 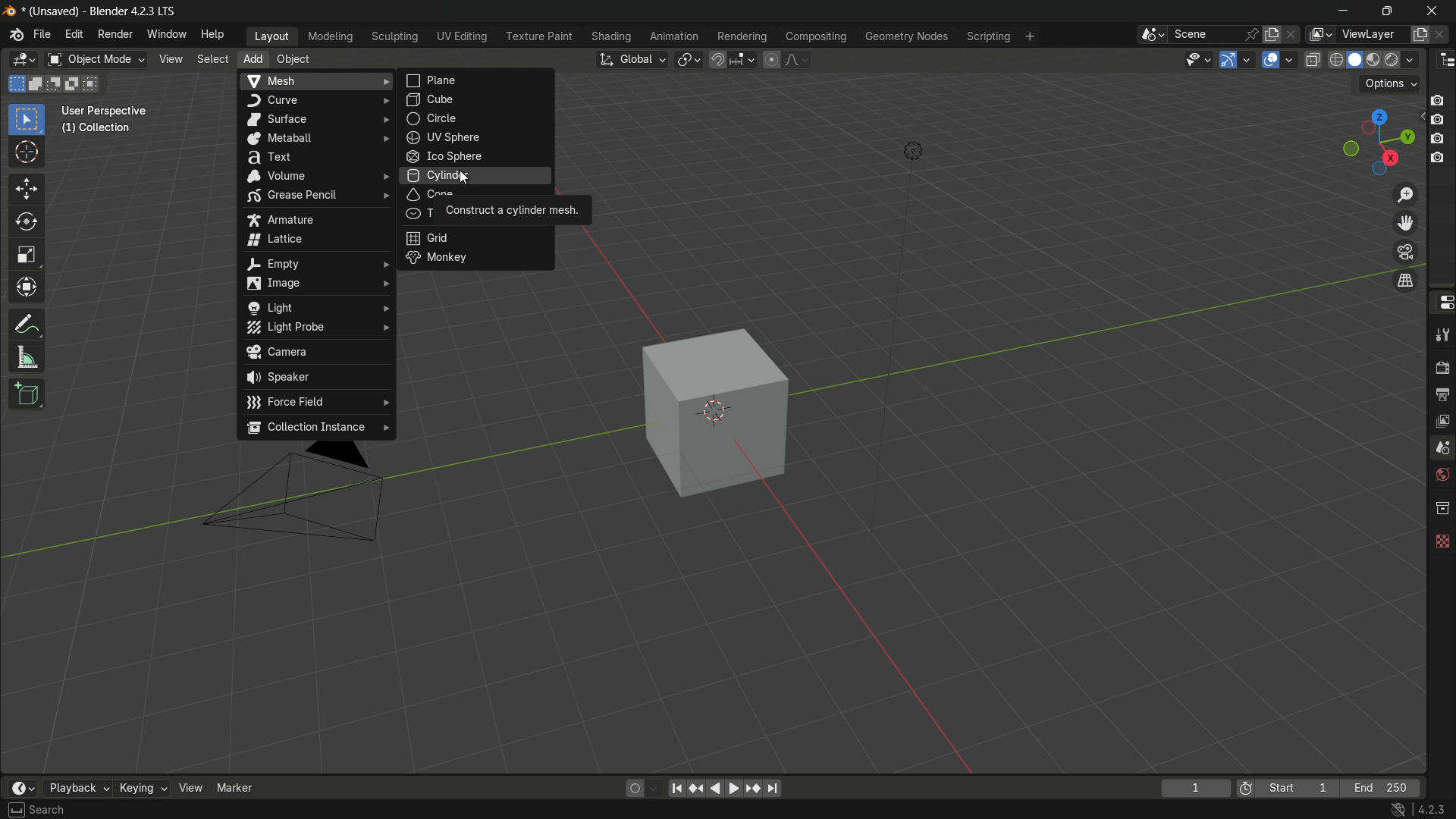 What do you see at coordinates (318, 353) in the screenshot?
I see `camera` at bounding box center [318, 353].